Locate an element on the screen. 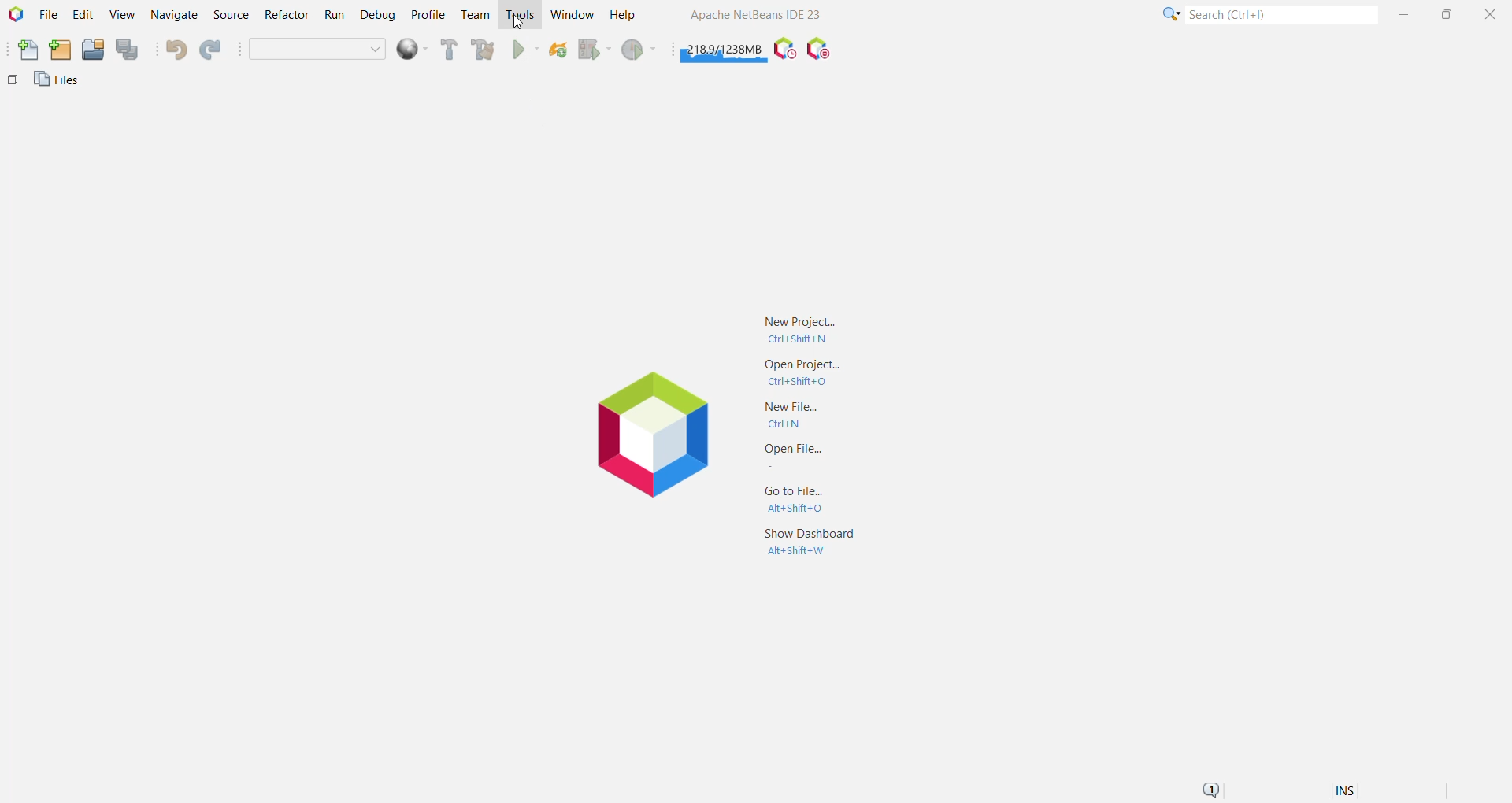 This screenshot has height=803, width=1512. Reload is located at coordinates (558, 51).